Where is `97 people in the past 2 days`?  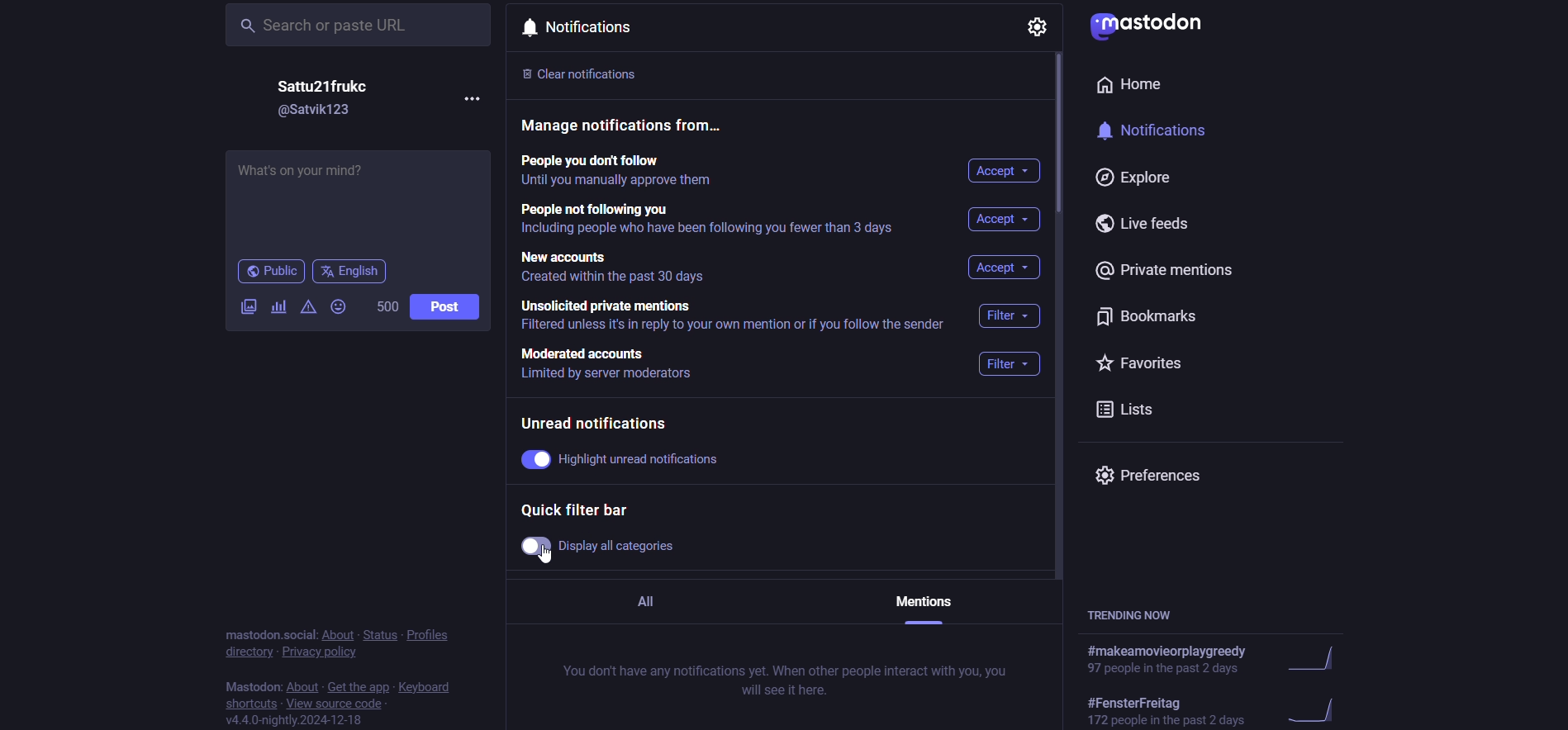
97 people in the past 2 days is located at coordinates (1166, 668).